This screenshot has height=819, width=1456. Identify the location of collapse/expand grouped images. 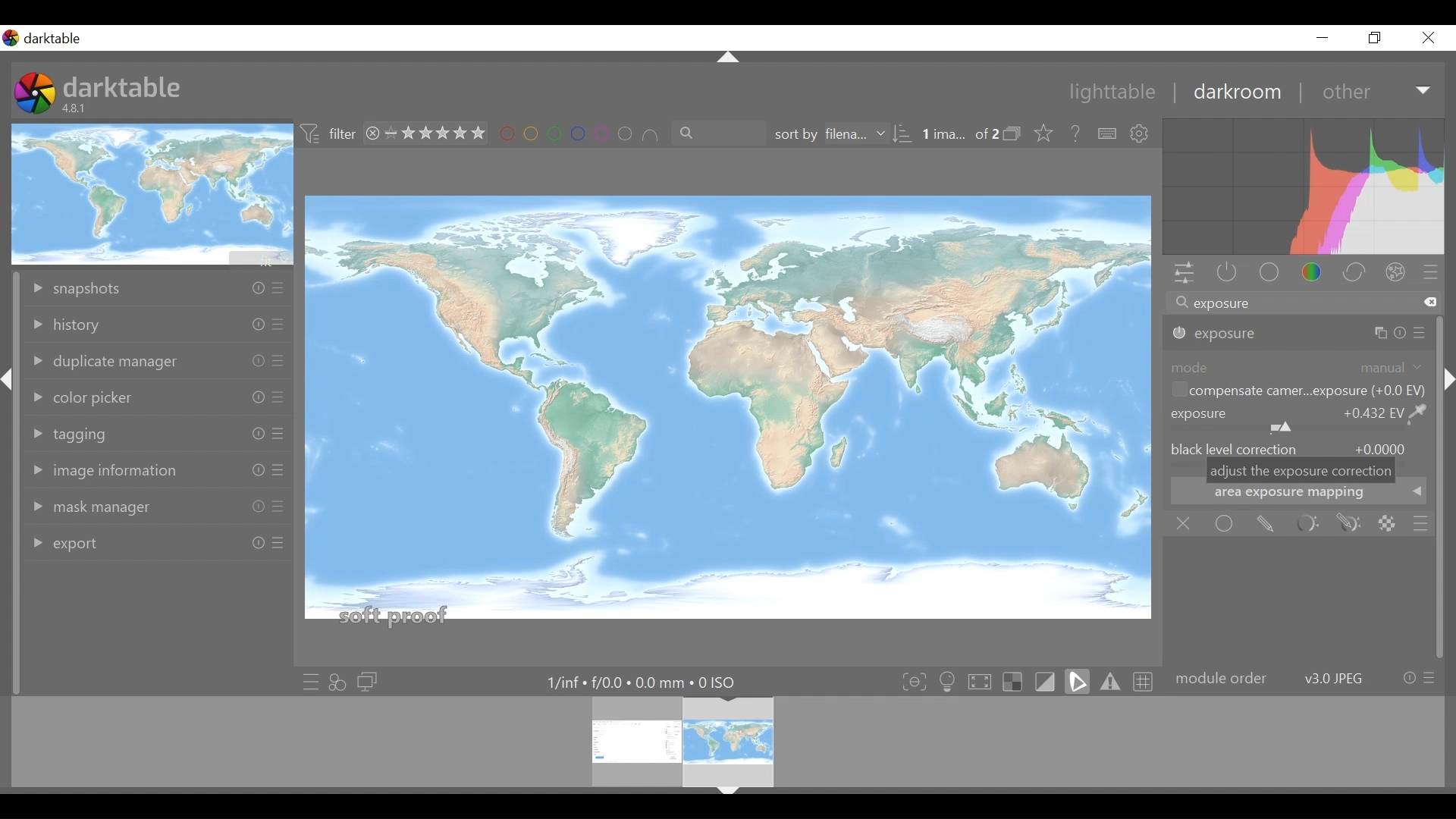
(1016, 135).